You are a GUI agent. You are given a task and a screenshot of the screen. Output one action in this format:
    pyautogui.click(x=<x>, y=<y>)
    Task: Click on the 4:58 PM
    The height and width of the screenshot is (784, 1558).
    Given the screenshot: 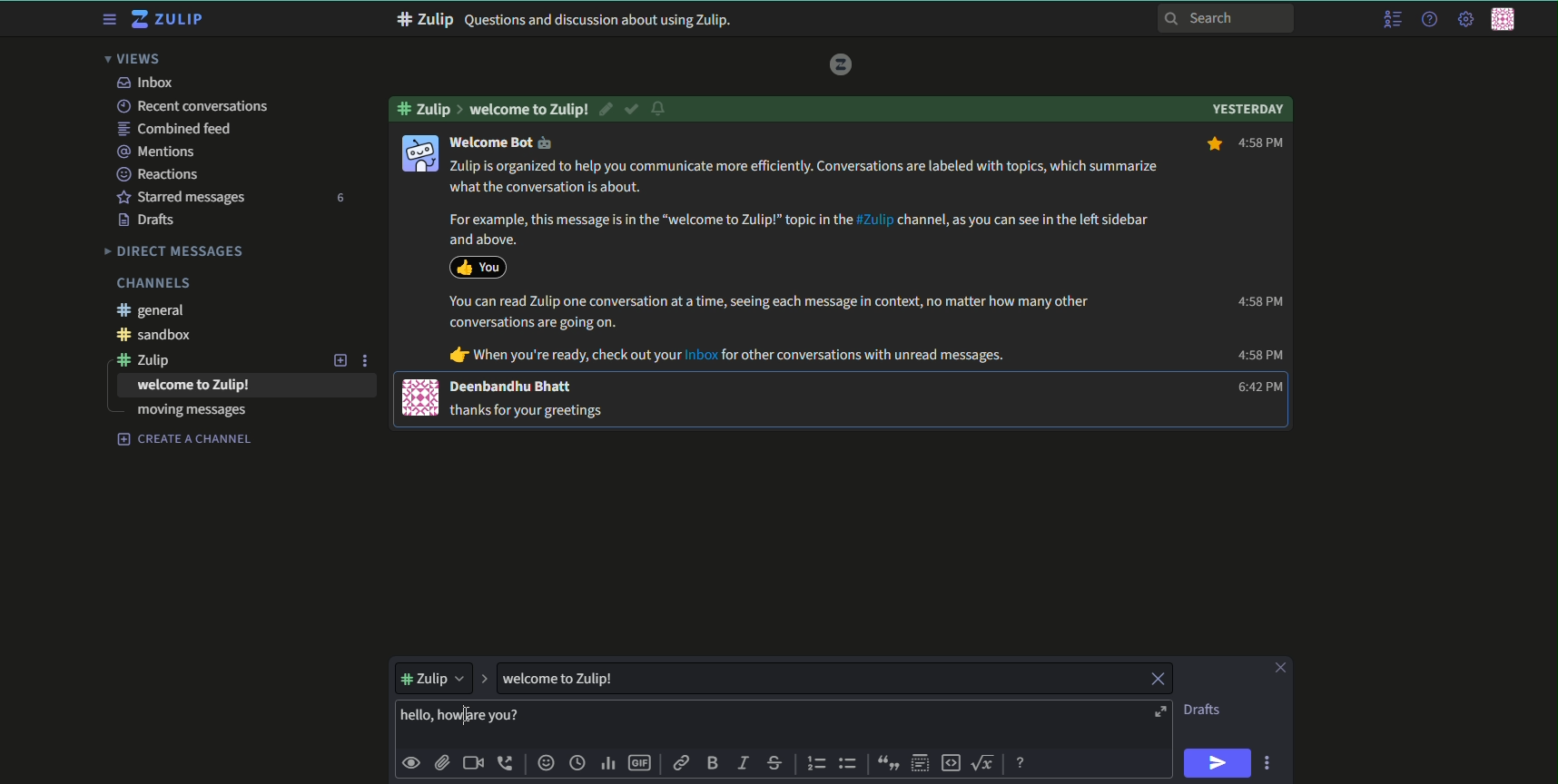 What is the action you would take?
    pyautogui.click(x=1258, y=301)
    